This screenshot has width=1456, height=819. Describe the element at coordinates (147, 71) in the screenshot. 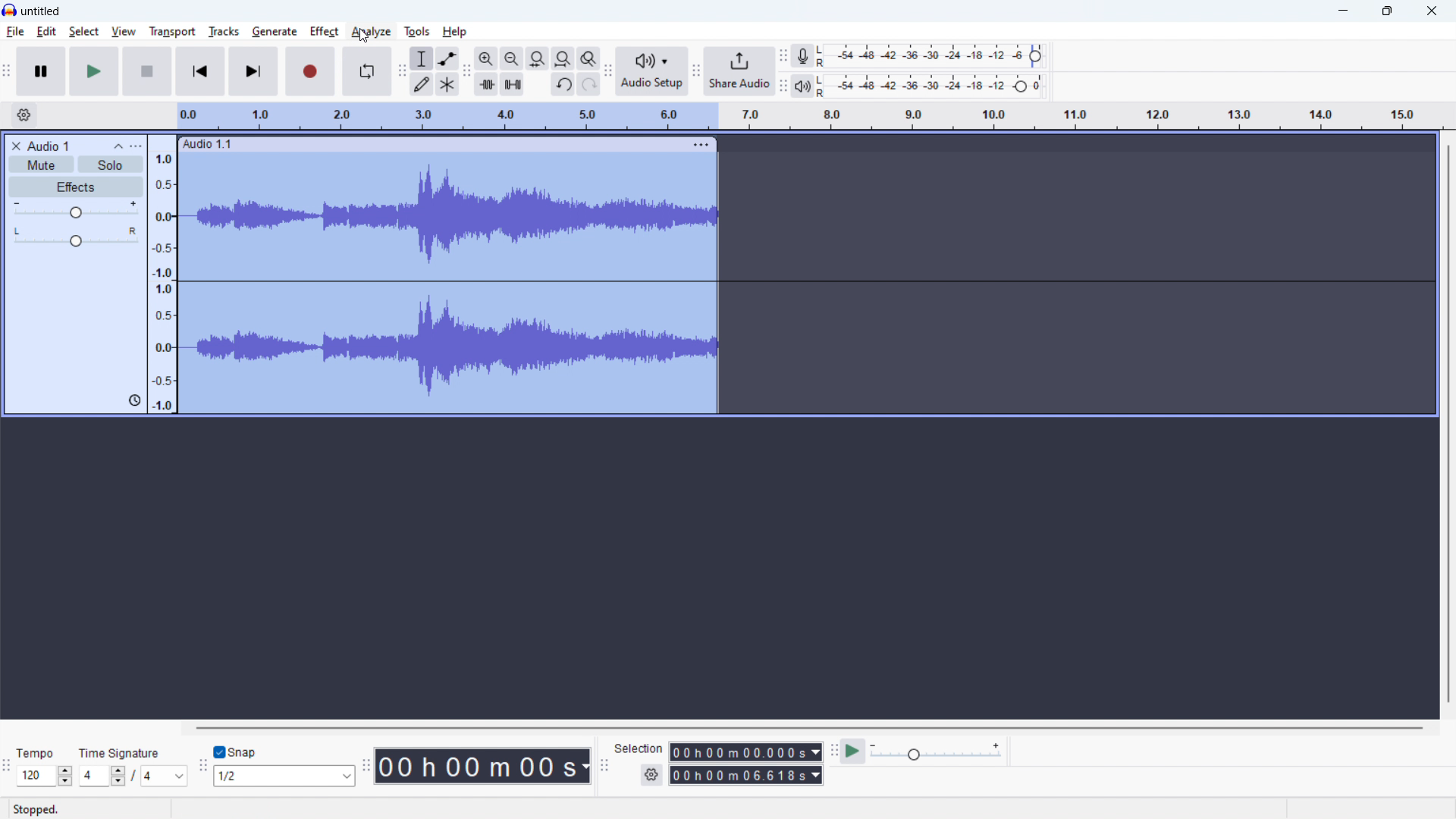

I see `stop` at that location.